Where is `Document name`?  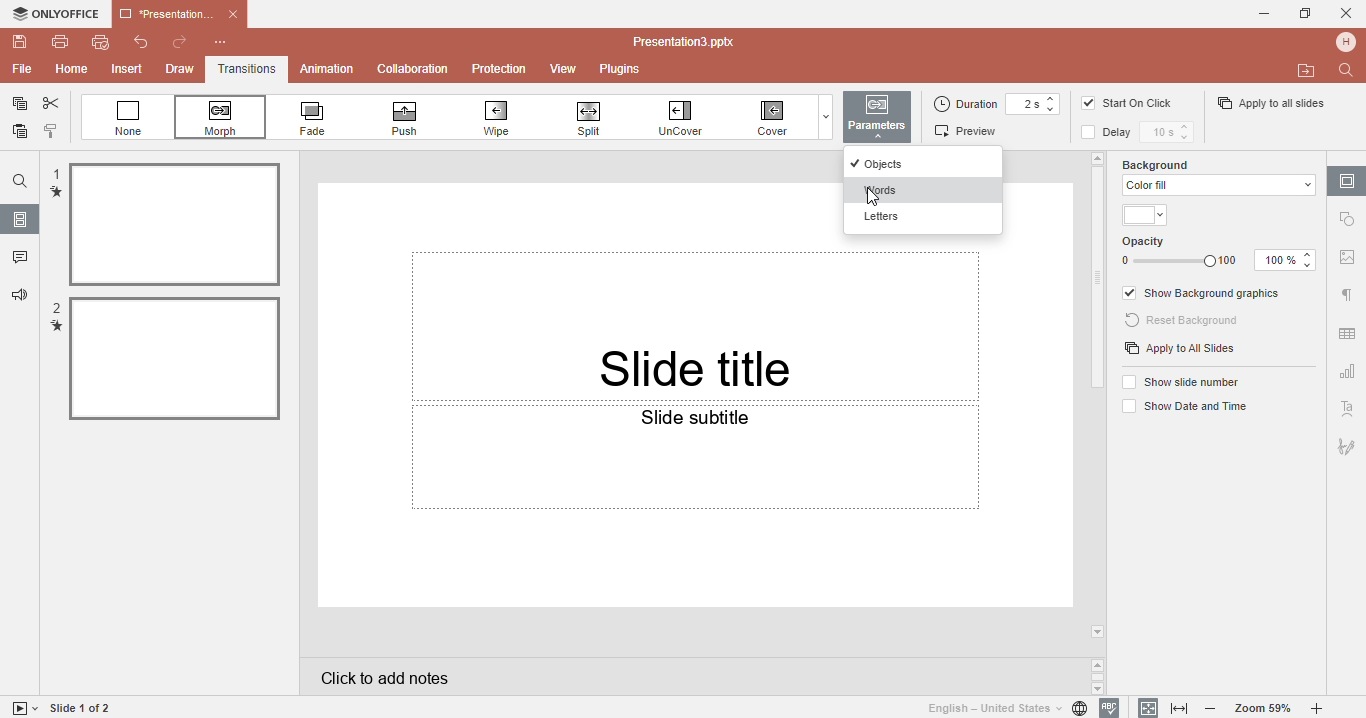
Document name is located at coordinates (689, 42).